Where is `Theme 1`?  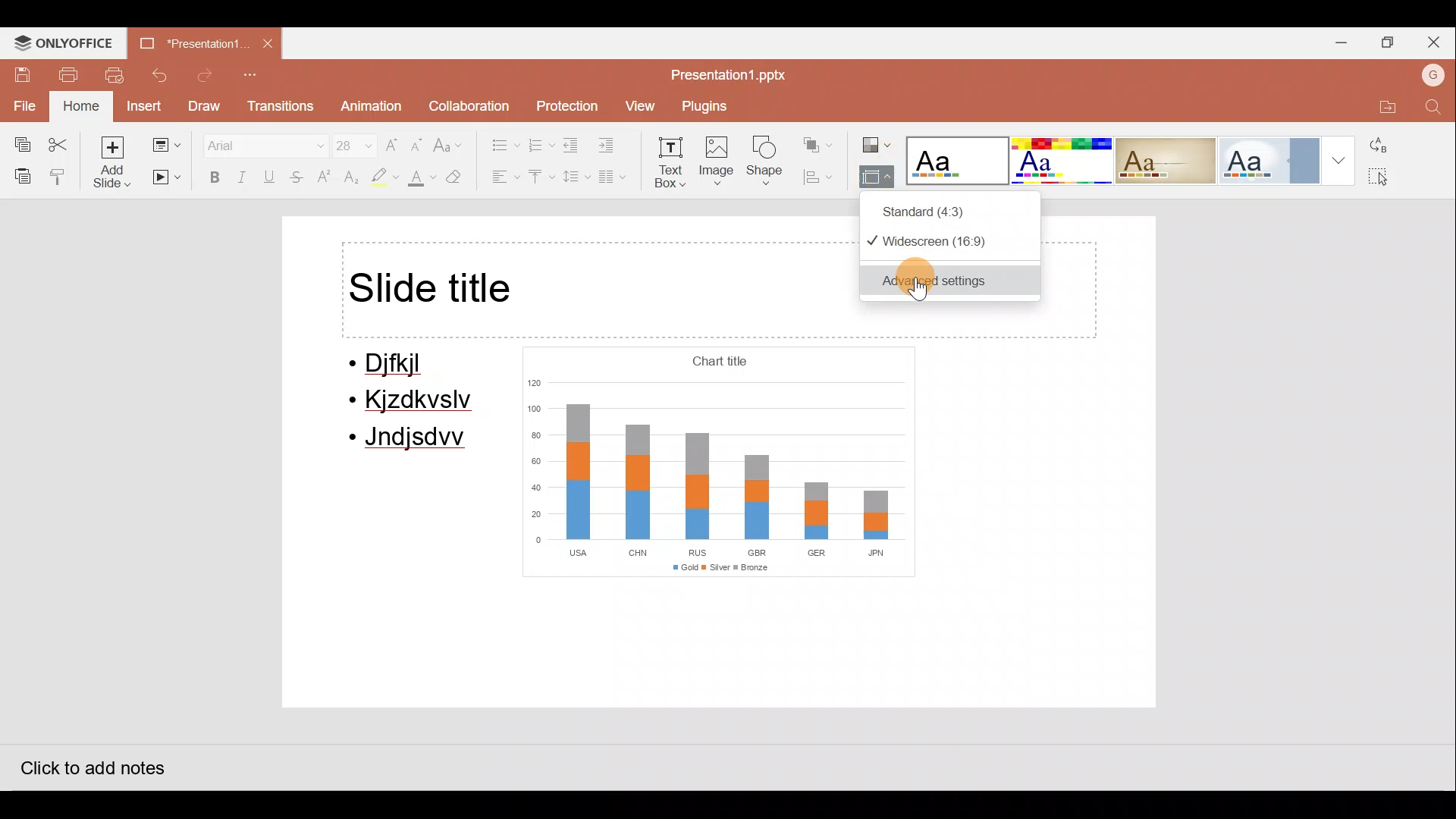 Theme 1 is located at coordinates (959, 162).